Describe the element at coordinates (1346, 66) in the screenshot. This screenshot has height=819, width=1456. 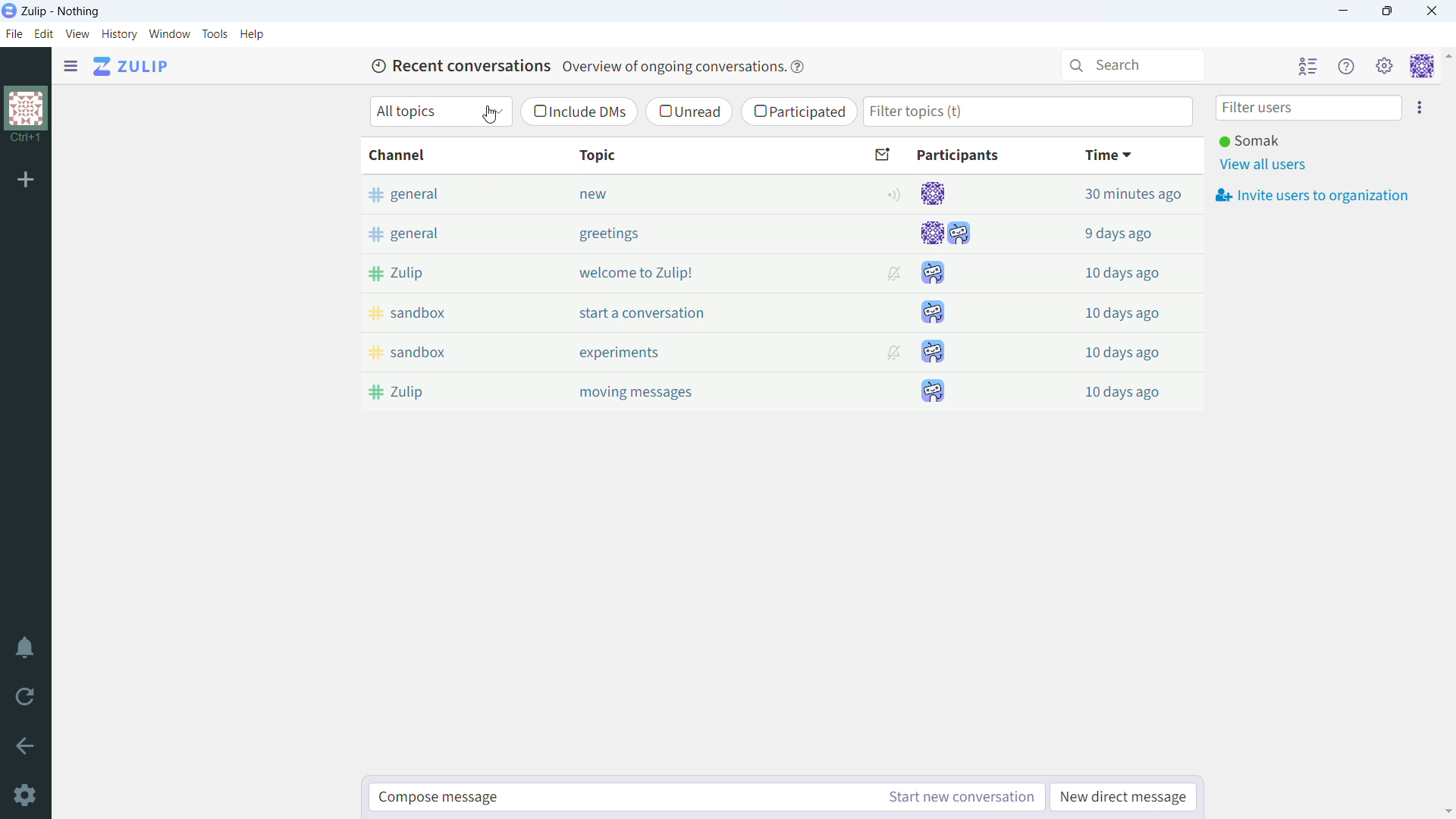
I see `help menu` at that location.